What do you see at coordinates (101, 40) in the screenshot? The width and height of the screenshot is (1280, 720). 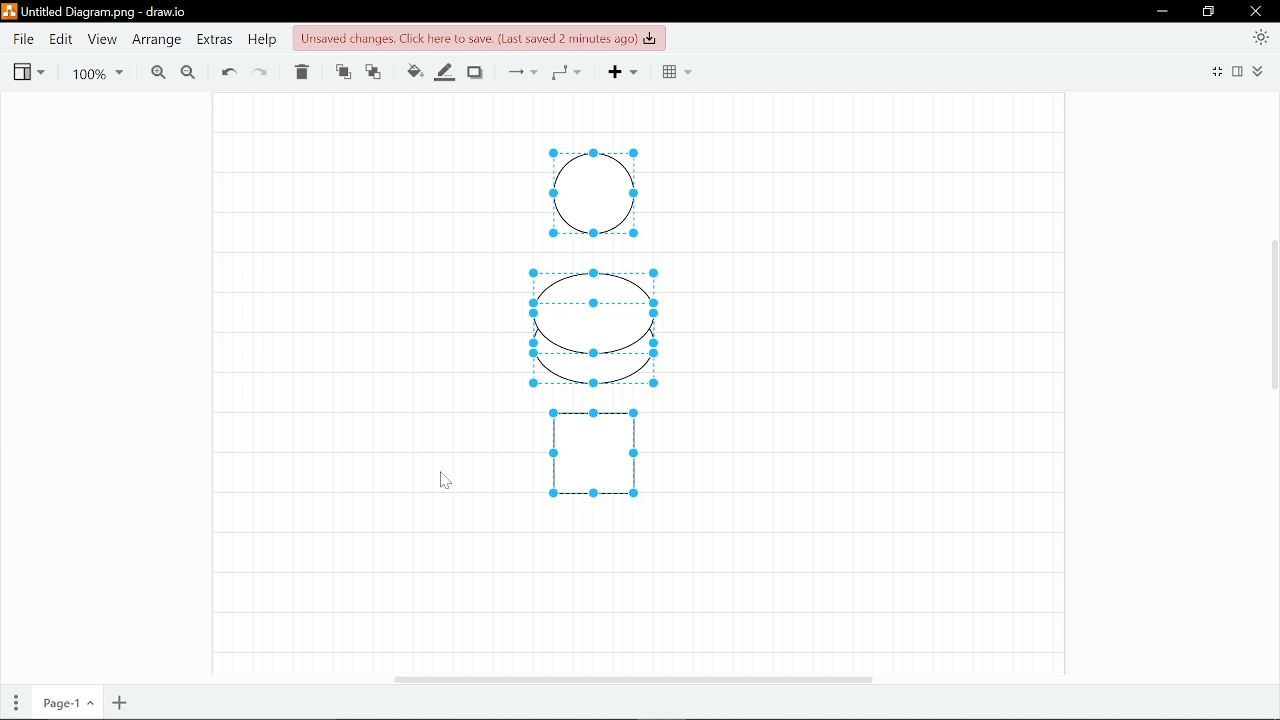 I see `View` at bounding box center [101, 40].